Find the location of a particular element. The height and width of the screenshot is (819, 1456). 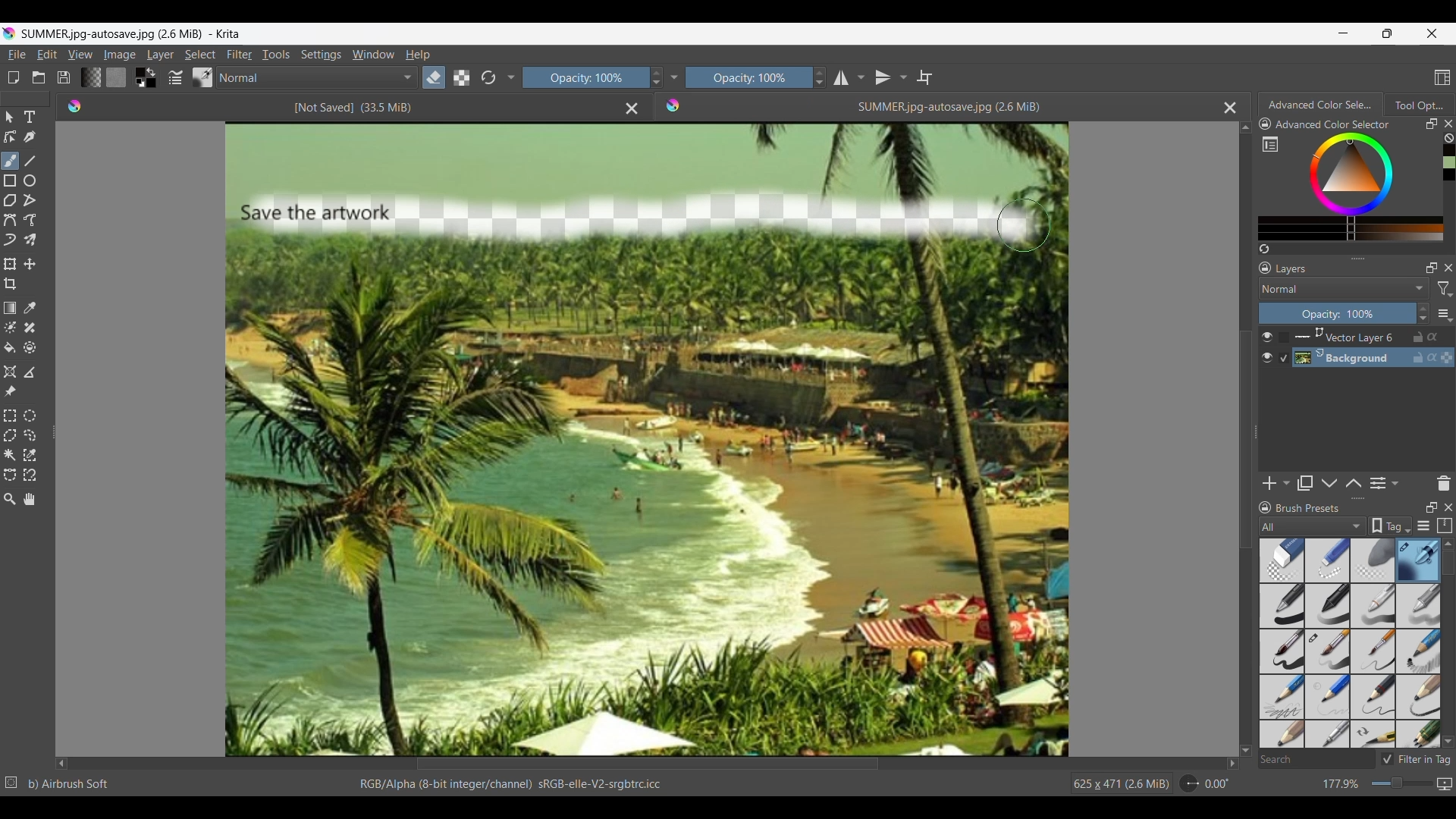

Change height of panels attached to this line is located at coordinates (1357, 258).